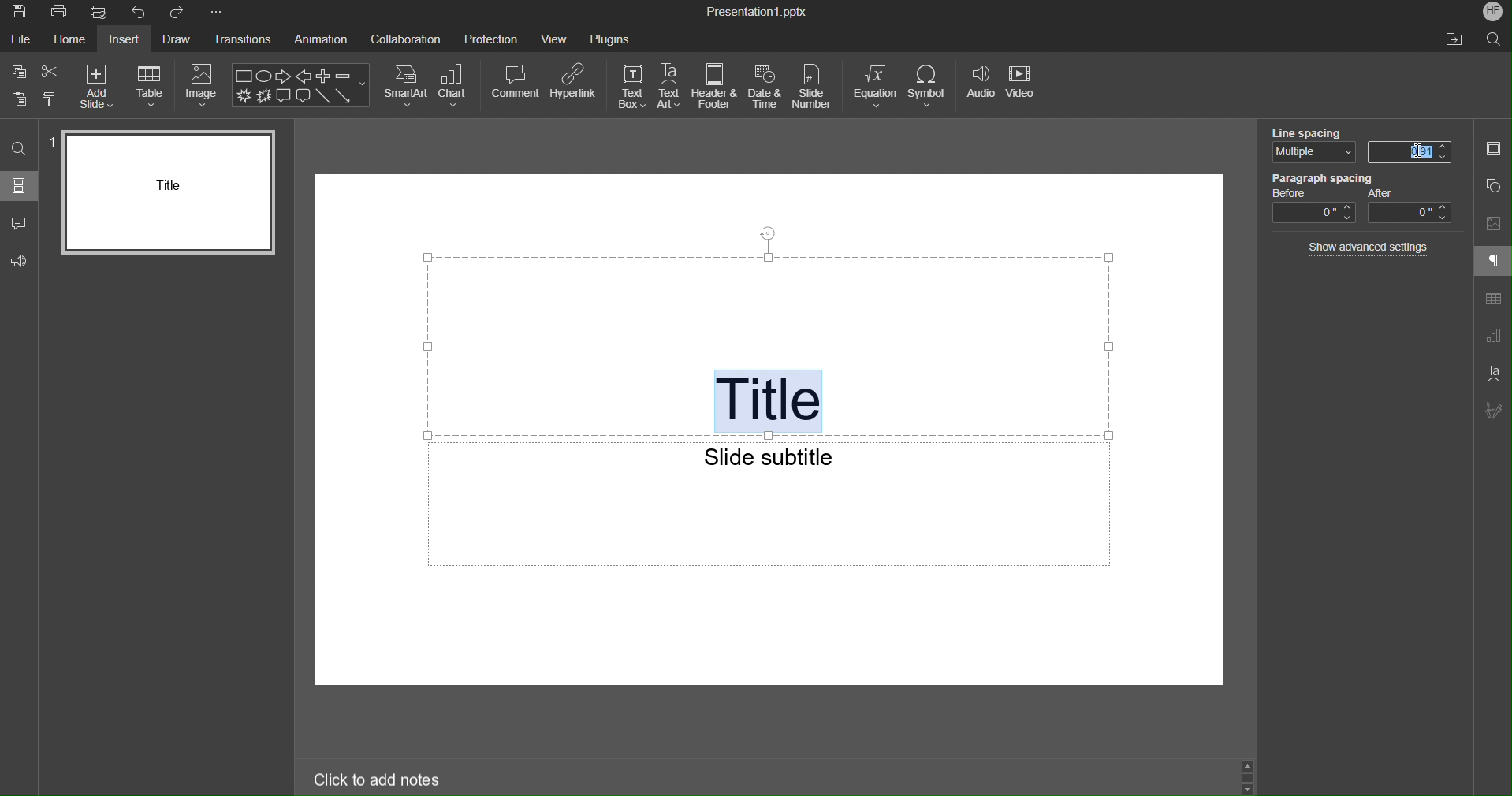 This screenshot has width=1512, height=796. What do you see at coordinates (757, 13) in the screenshot?
I see `Pesentation1.pptx` at bounding box center [757, 13].